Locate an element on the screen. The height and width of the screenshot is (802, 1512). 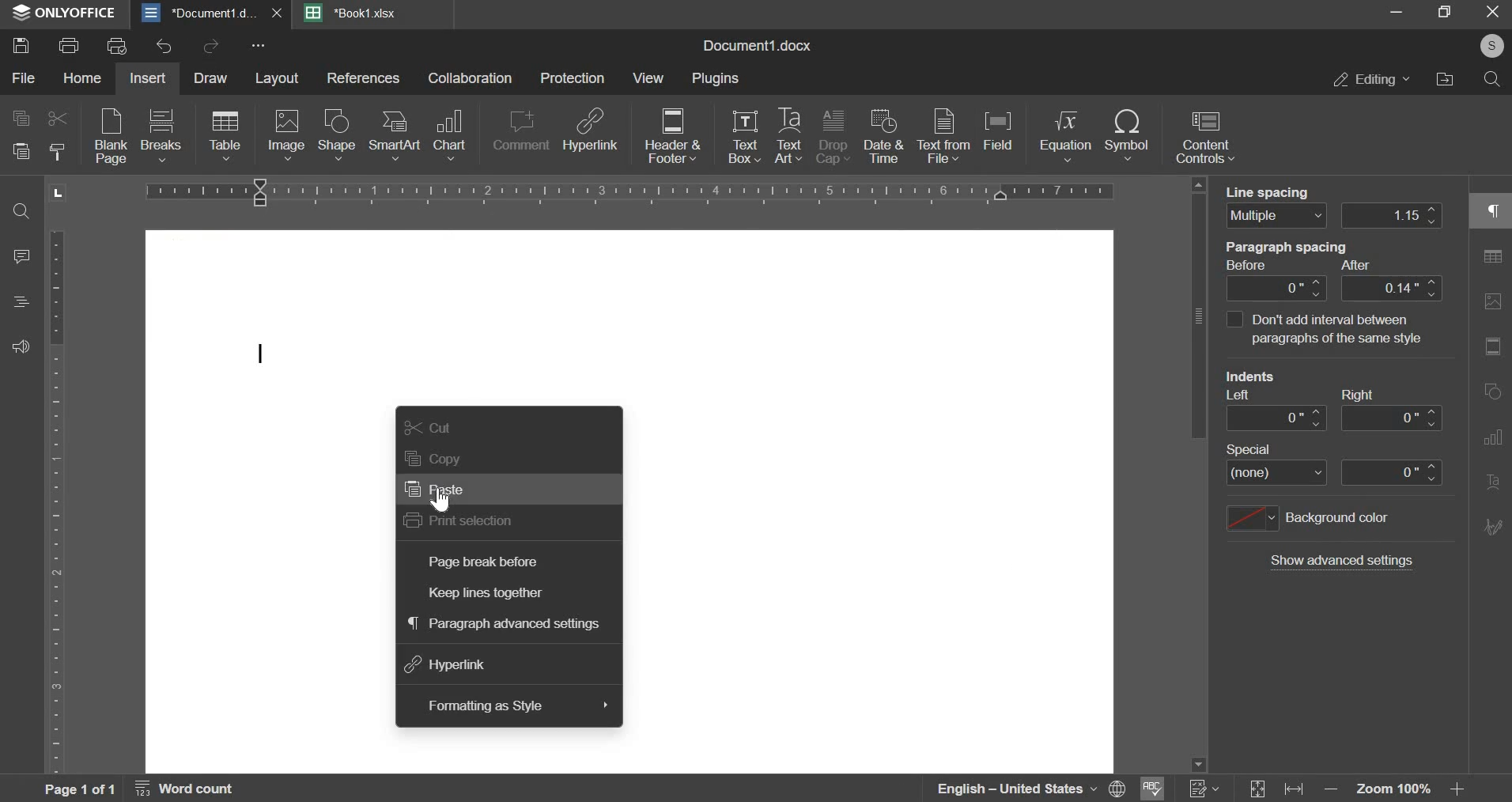
Image Tool is located at coordinates (1492, 346).